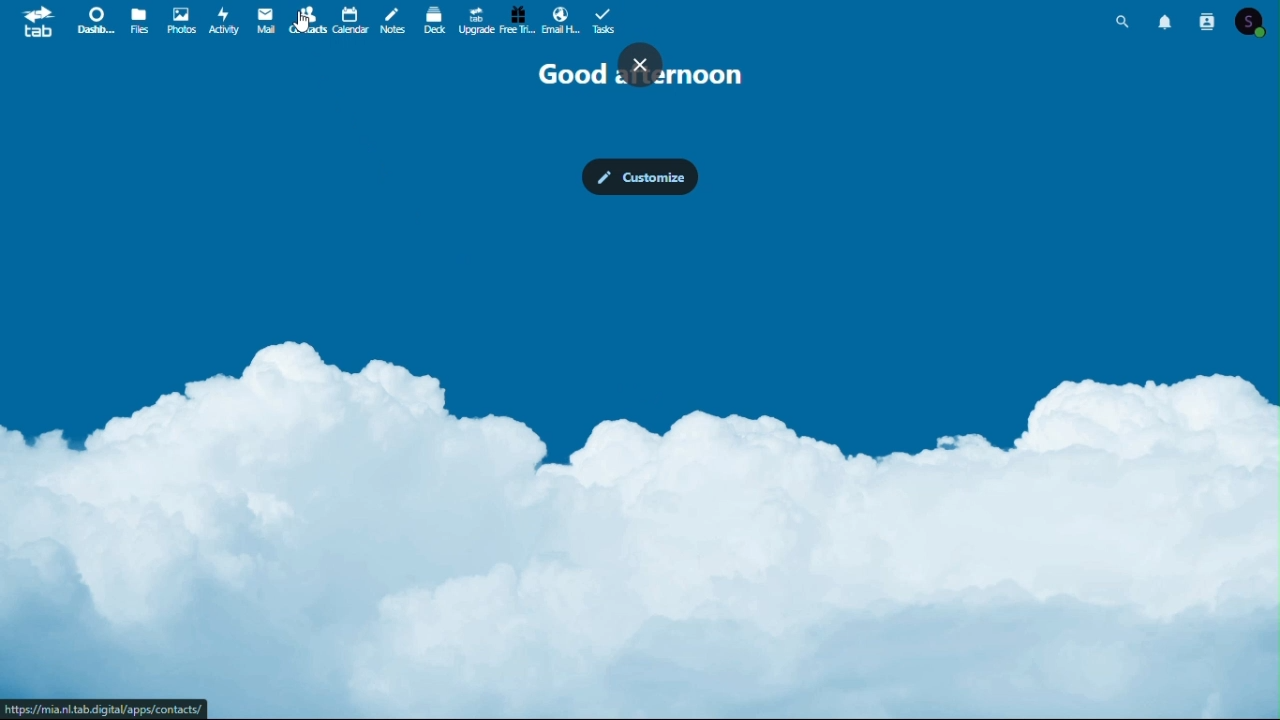  I want to click on Photo, so click(180, 21).